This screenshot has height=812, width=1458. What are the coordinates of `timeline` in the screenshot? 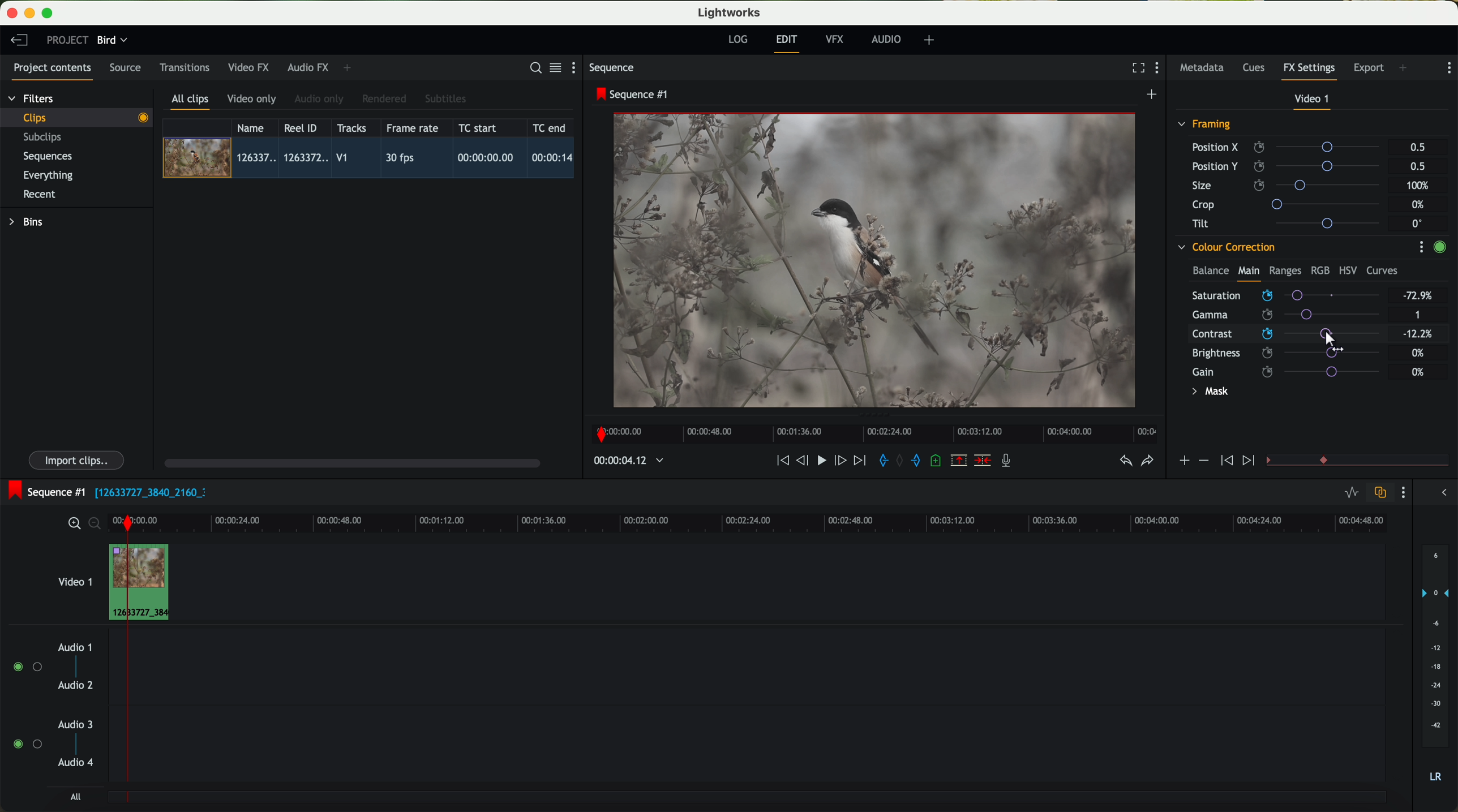 It's located at (784, 522).